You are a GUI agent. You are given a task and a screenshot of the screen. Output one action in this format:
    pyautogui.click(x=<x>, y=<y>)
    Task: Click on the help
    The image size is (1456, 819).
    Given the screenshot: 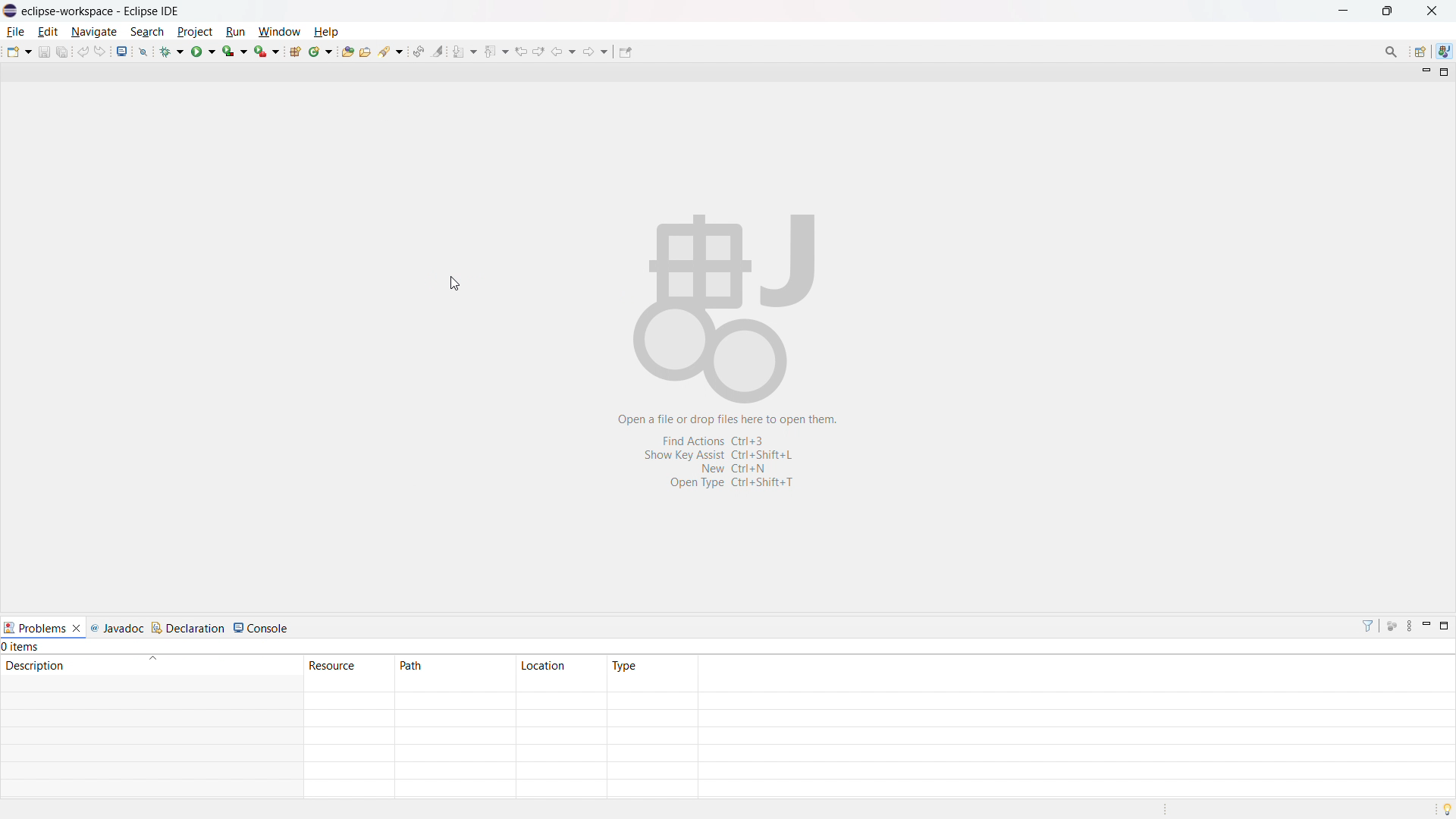 What is the action you would take?
    pyautogui.click(x=326, y=32)
    